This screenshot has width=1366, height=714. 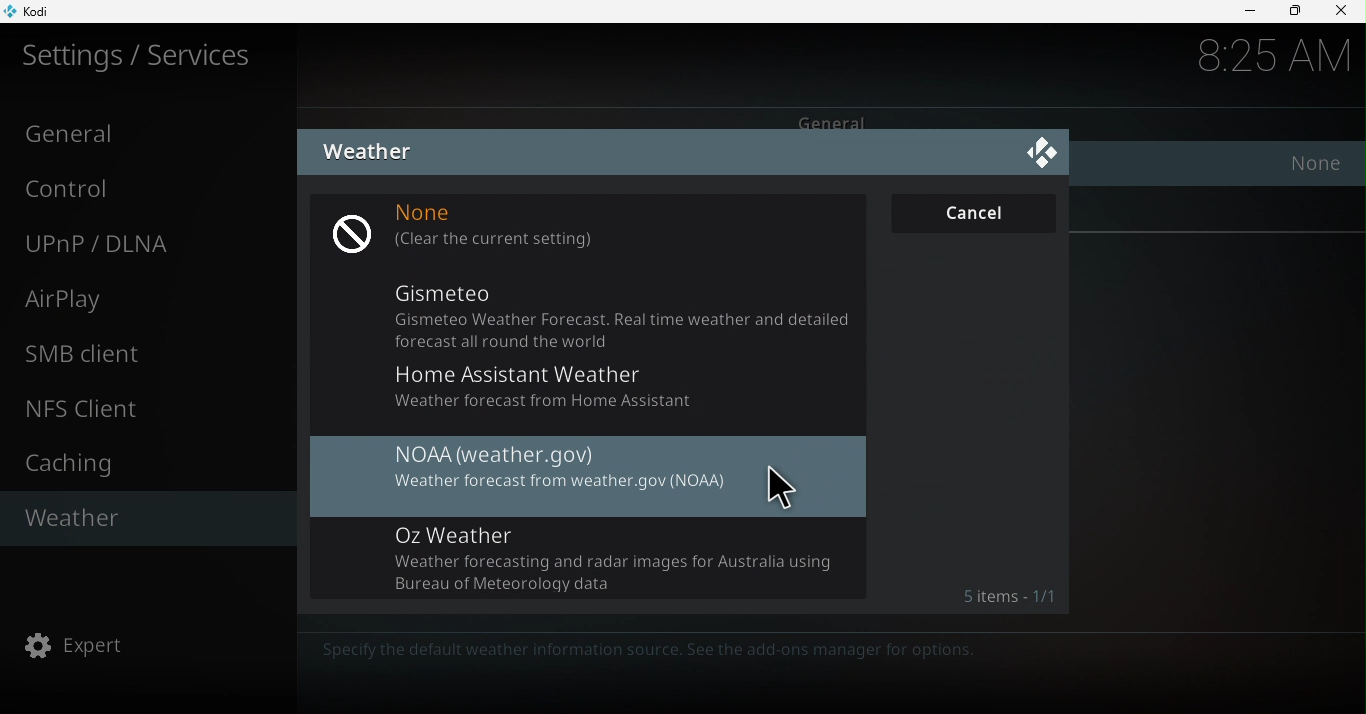 What do you see at coordinates (155, 354) in the screenshot?
I see `SMB client` at bounding box center [155, 354].